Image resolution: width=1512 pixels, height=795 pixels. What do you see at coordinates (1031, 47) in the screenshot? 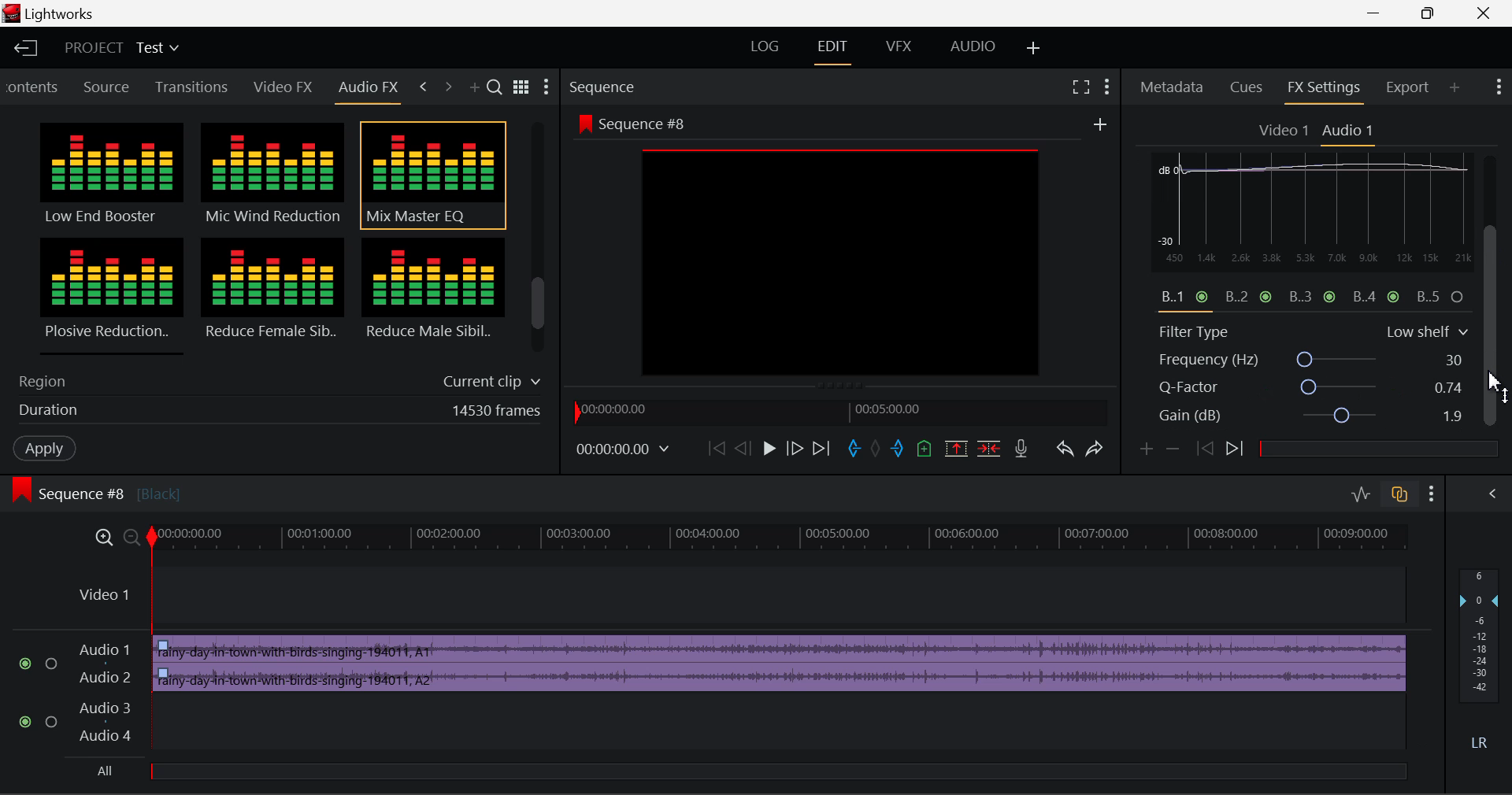
I see `Add Layout` at bounding box center [1031, 47].